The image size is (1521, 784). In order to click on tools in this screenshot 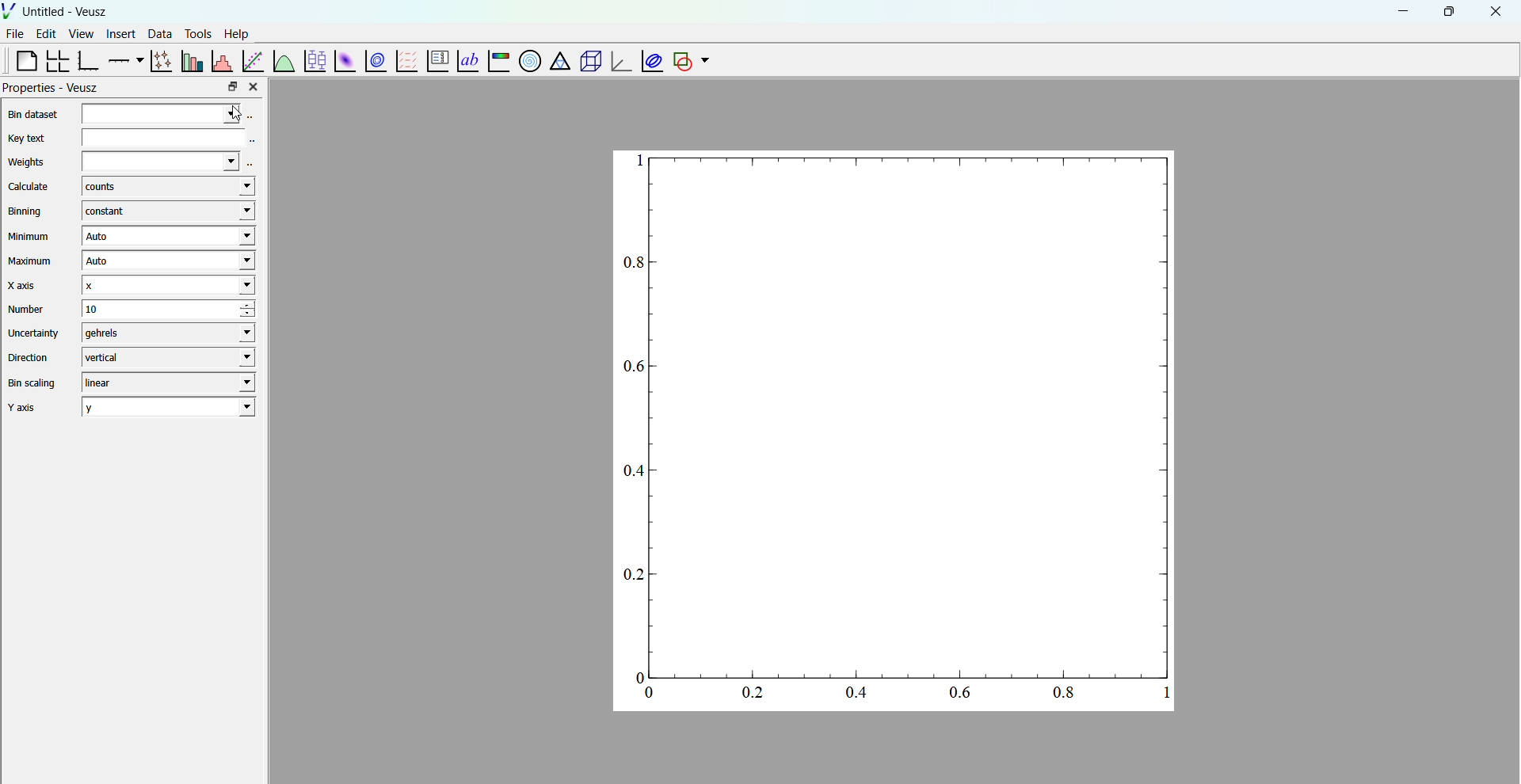, I will do `click(196, 33)`.